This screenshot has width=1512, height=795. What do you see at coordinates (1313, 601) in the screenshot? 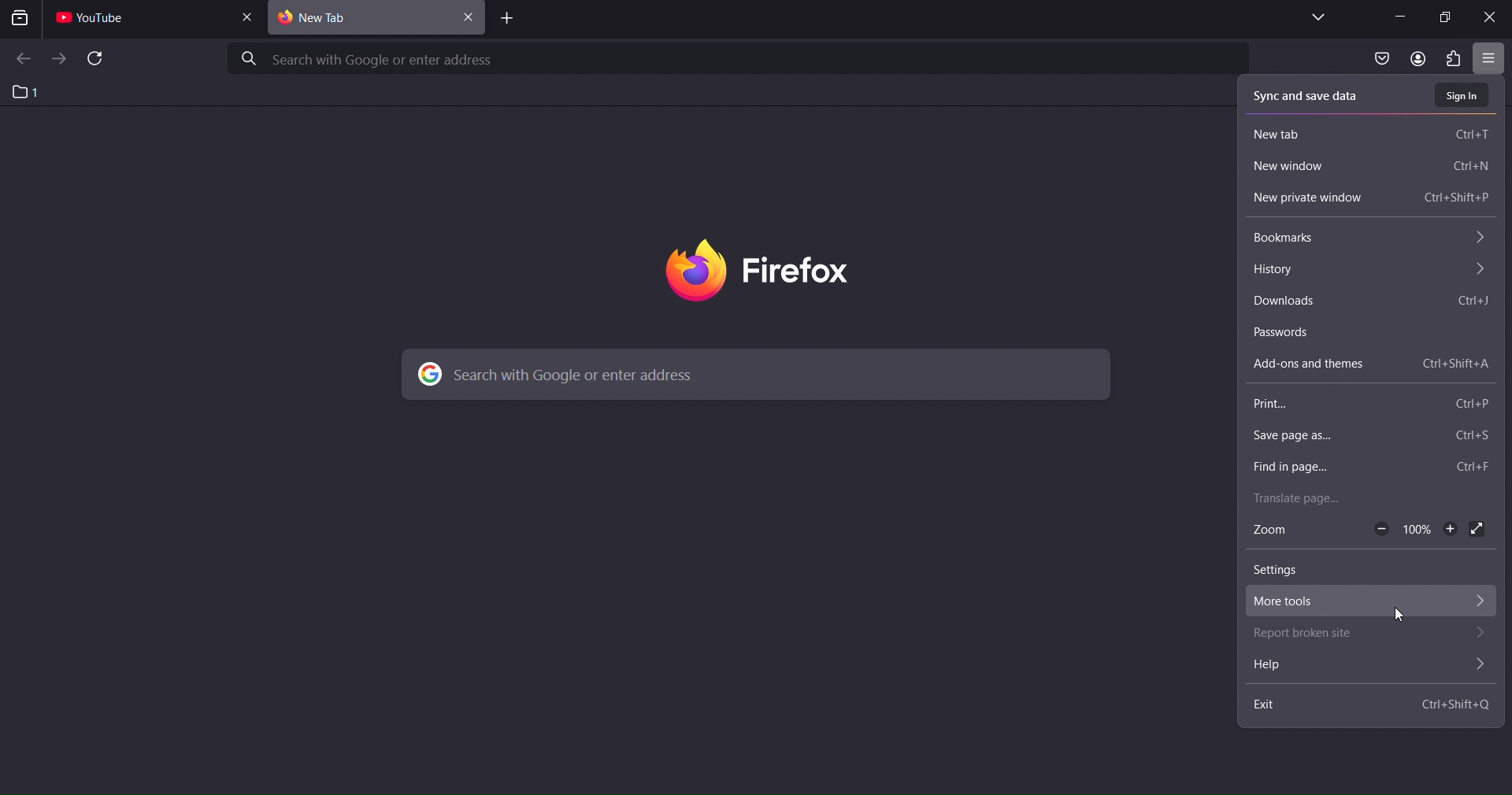
I see `more tools` at bounding box center [1313, 601].